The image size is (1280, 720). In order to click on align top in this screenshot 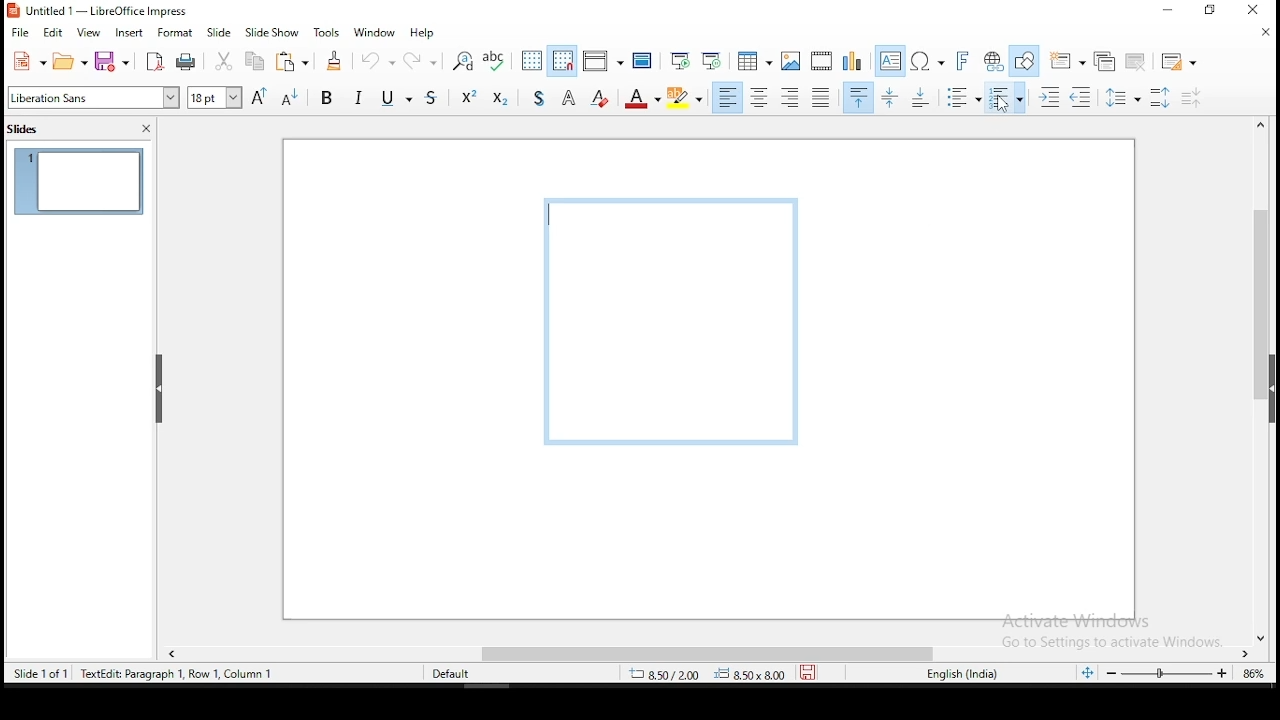, I will do `click(856, 99)`.